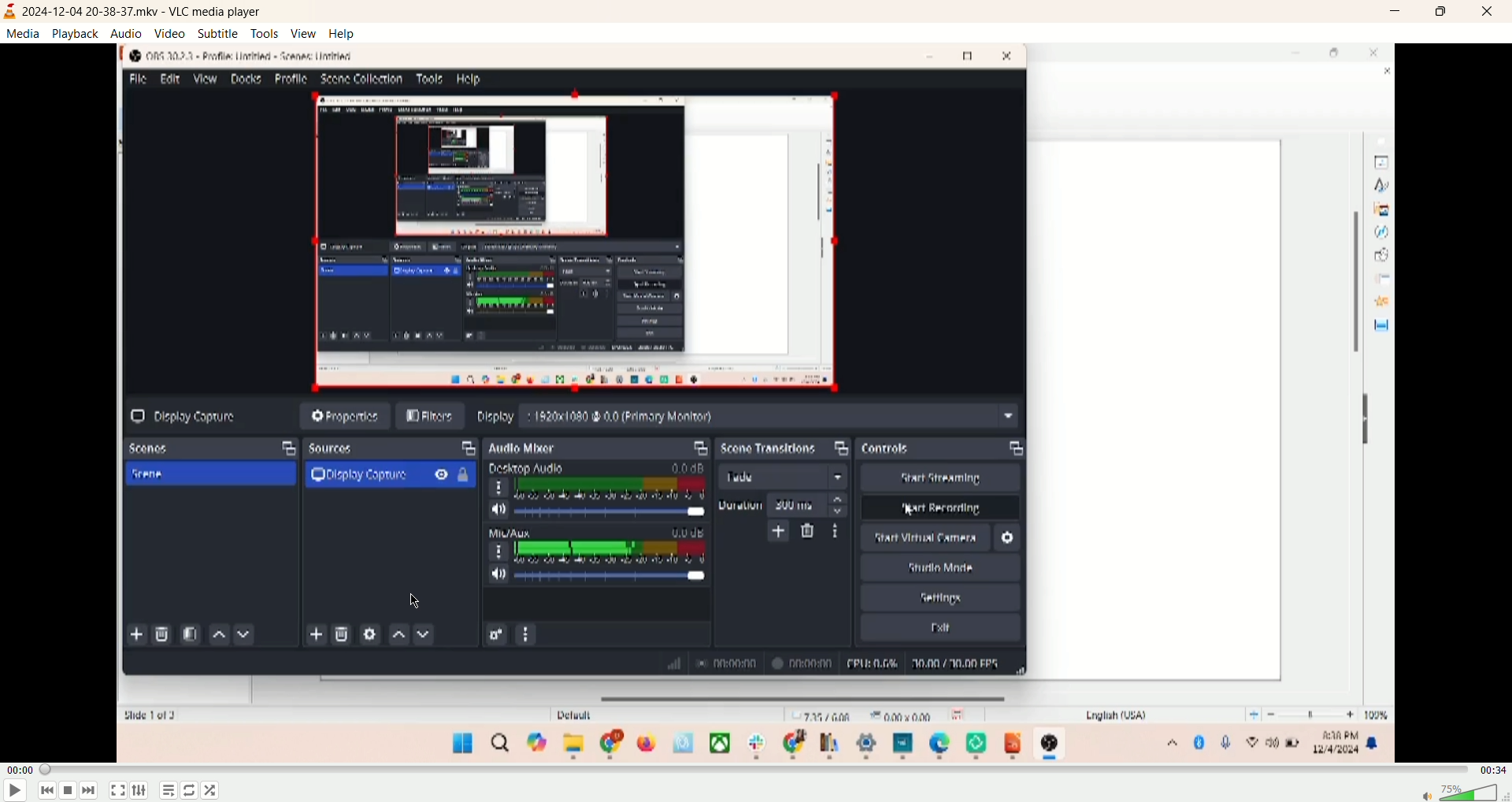 The width and height of the screenshot is (1512, 802). I want to click on tools, so click(265, 33).